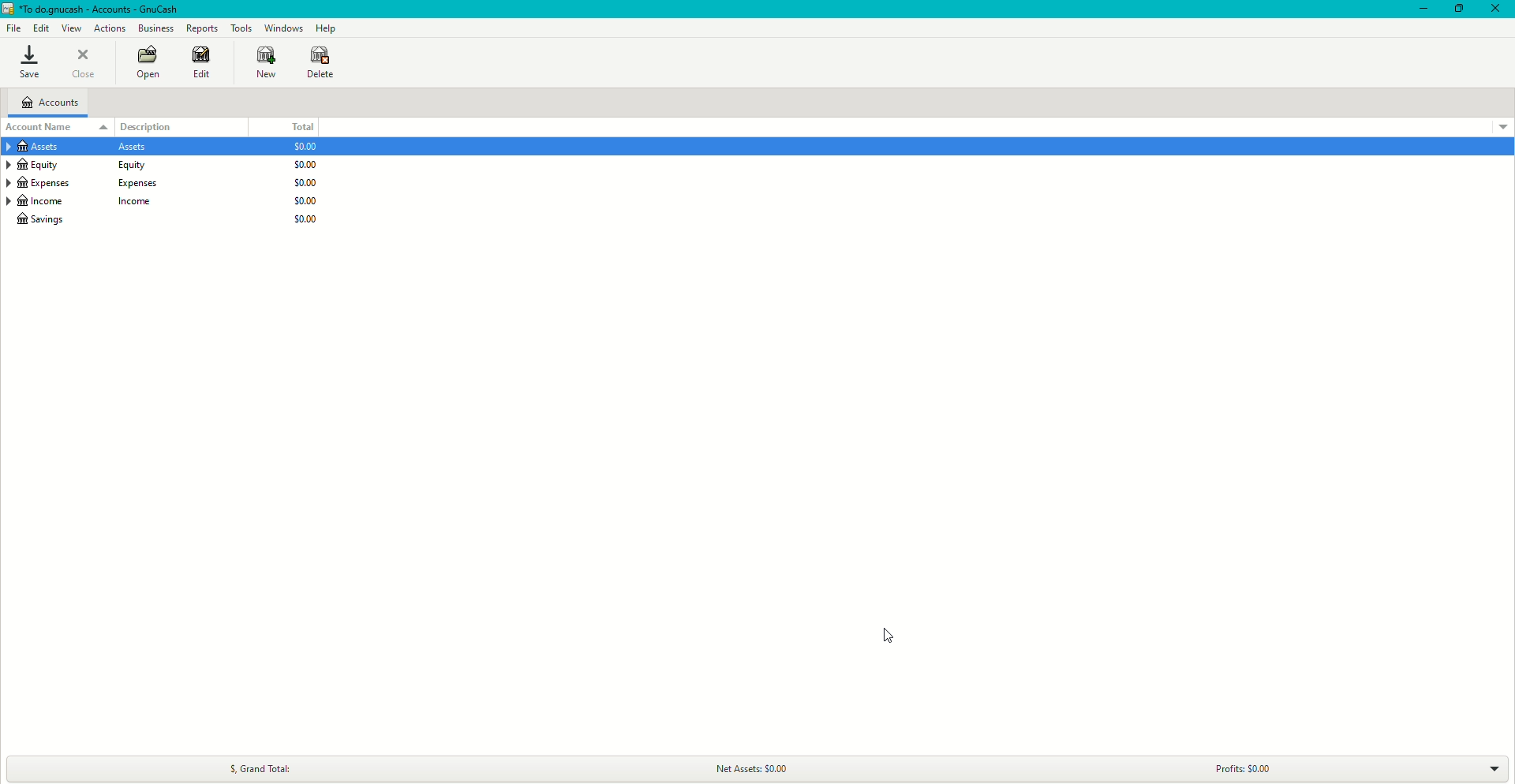 This screenshot has height=784, width=1515. I want to click on Net Assets, so click(764, 767).